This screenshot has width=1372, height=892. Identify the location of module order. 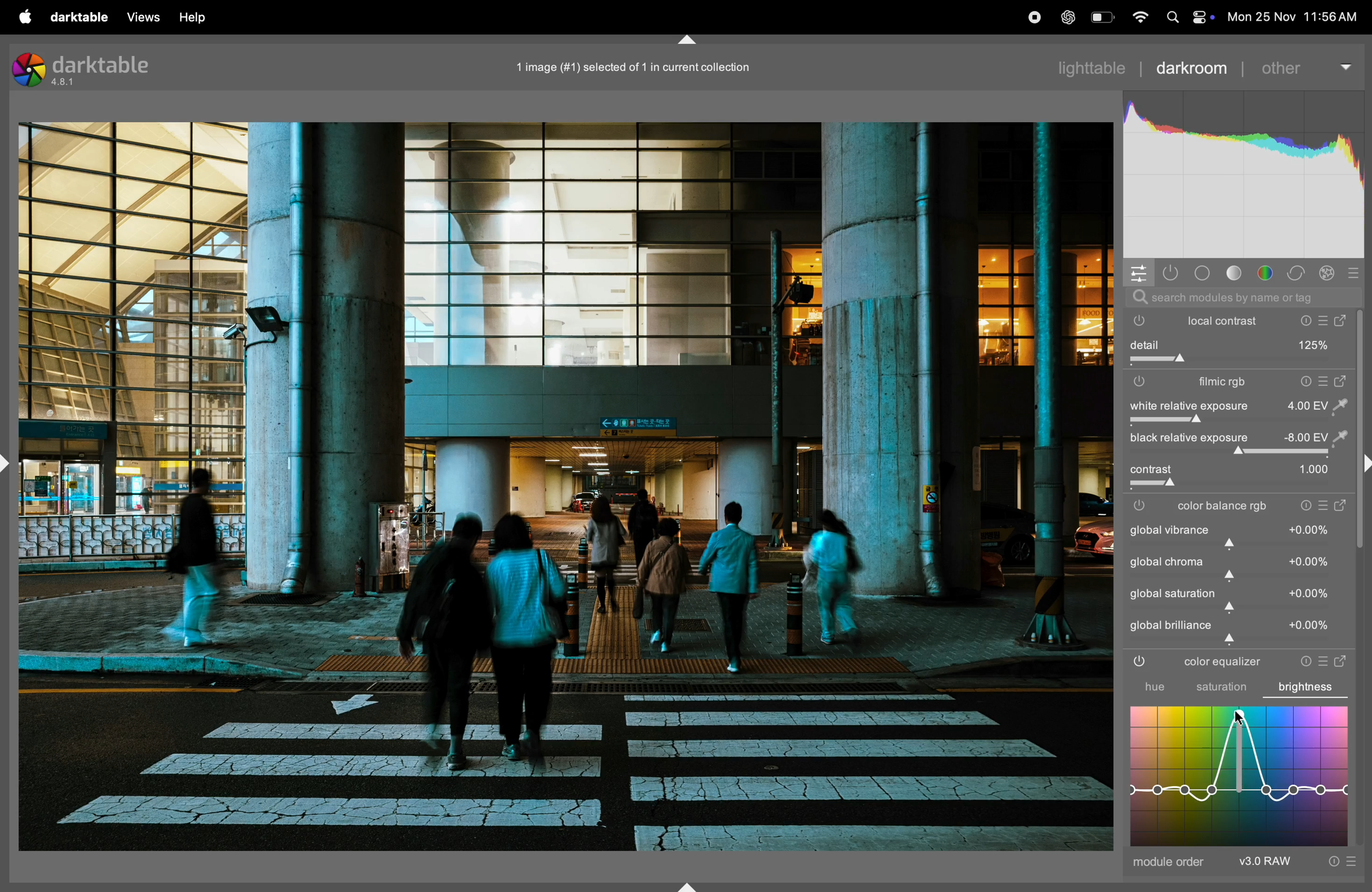
(1170, 864).